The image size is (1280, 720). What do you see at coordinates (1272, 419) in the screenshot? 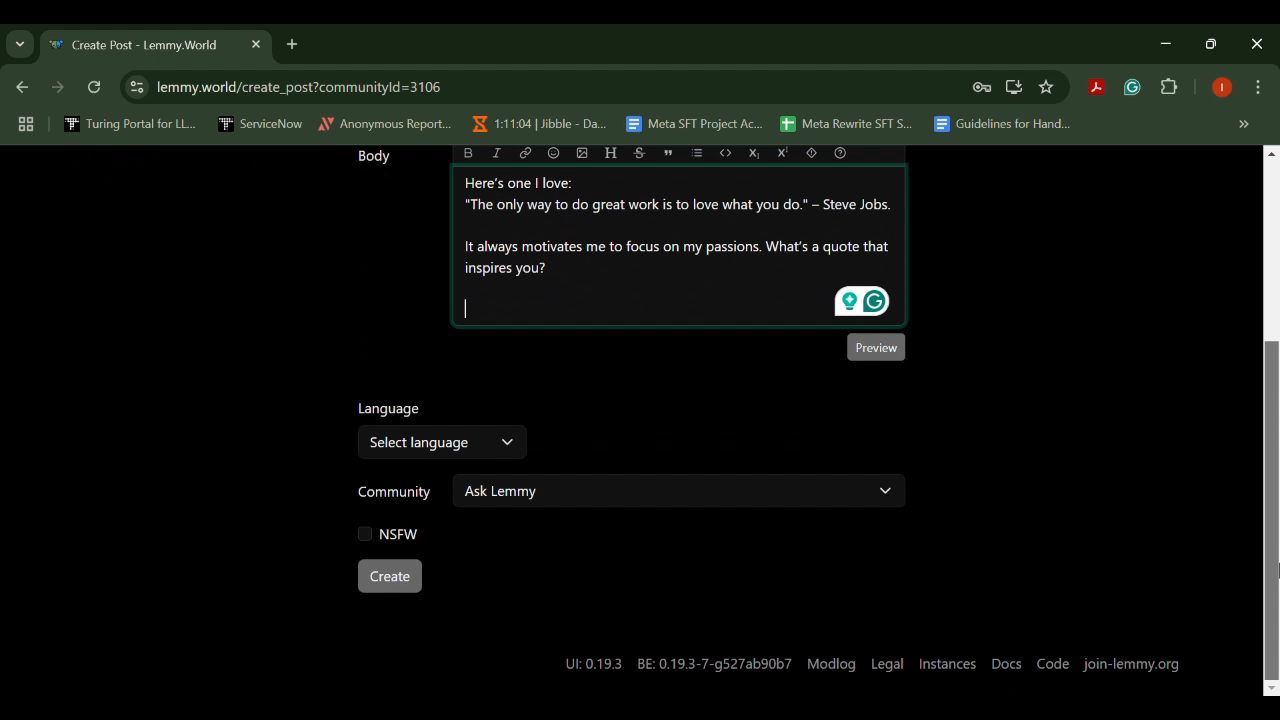
I see `Scroll Bar` at bounding box center [1272, 419].